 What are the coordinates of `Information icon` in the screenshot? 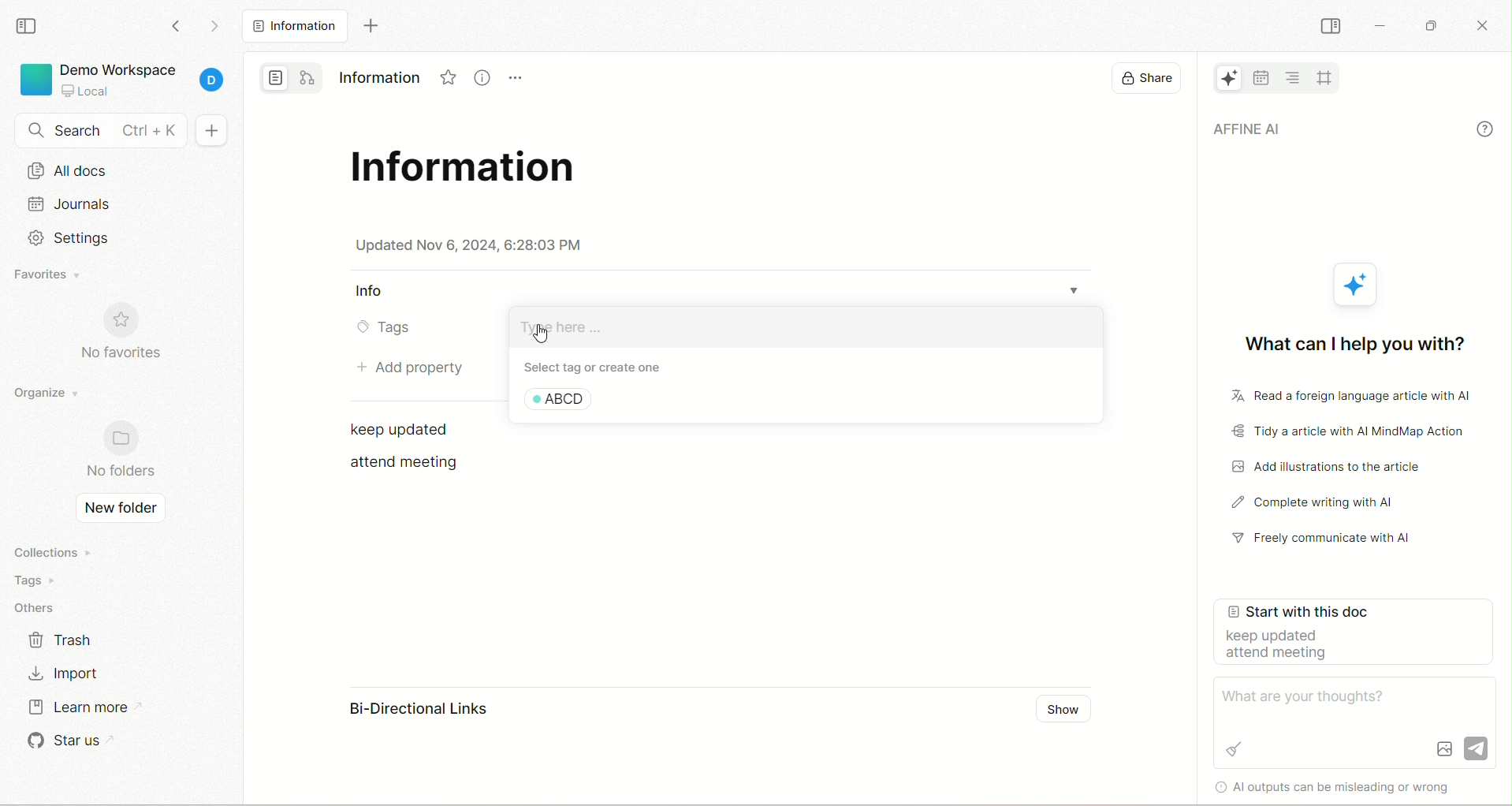 It's located at (479, 79).